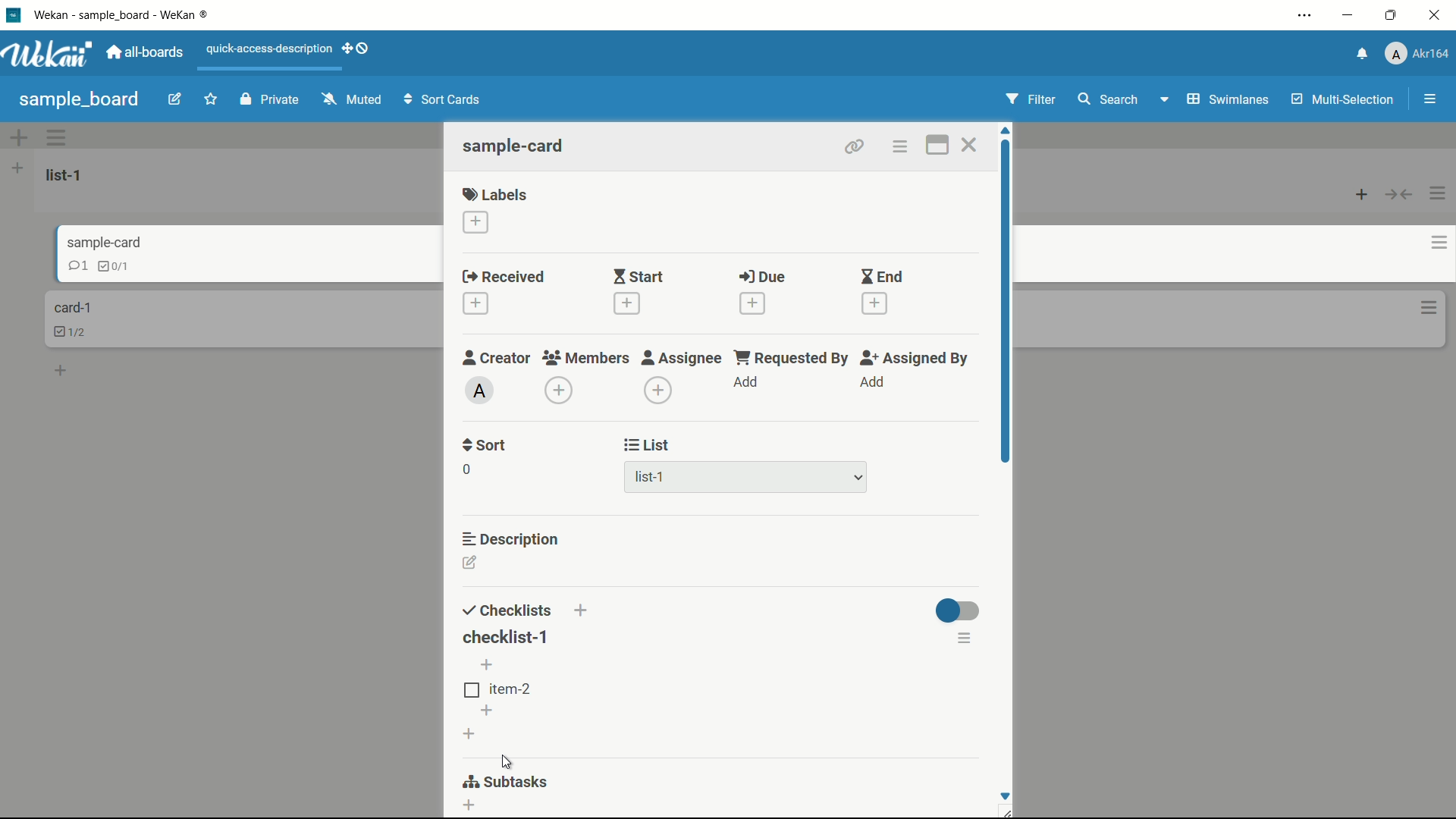 The image size is (1456, 819). Describe the element at coordinates (513, 783) in the screenshot. I see `subtasks` at that location.